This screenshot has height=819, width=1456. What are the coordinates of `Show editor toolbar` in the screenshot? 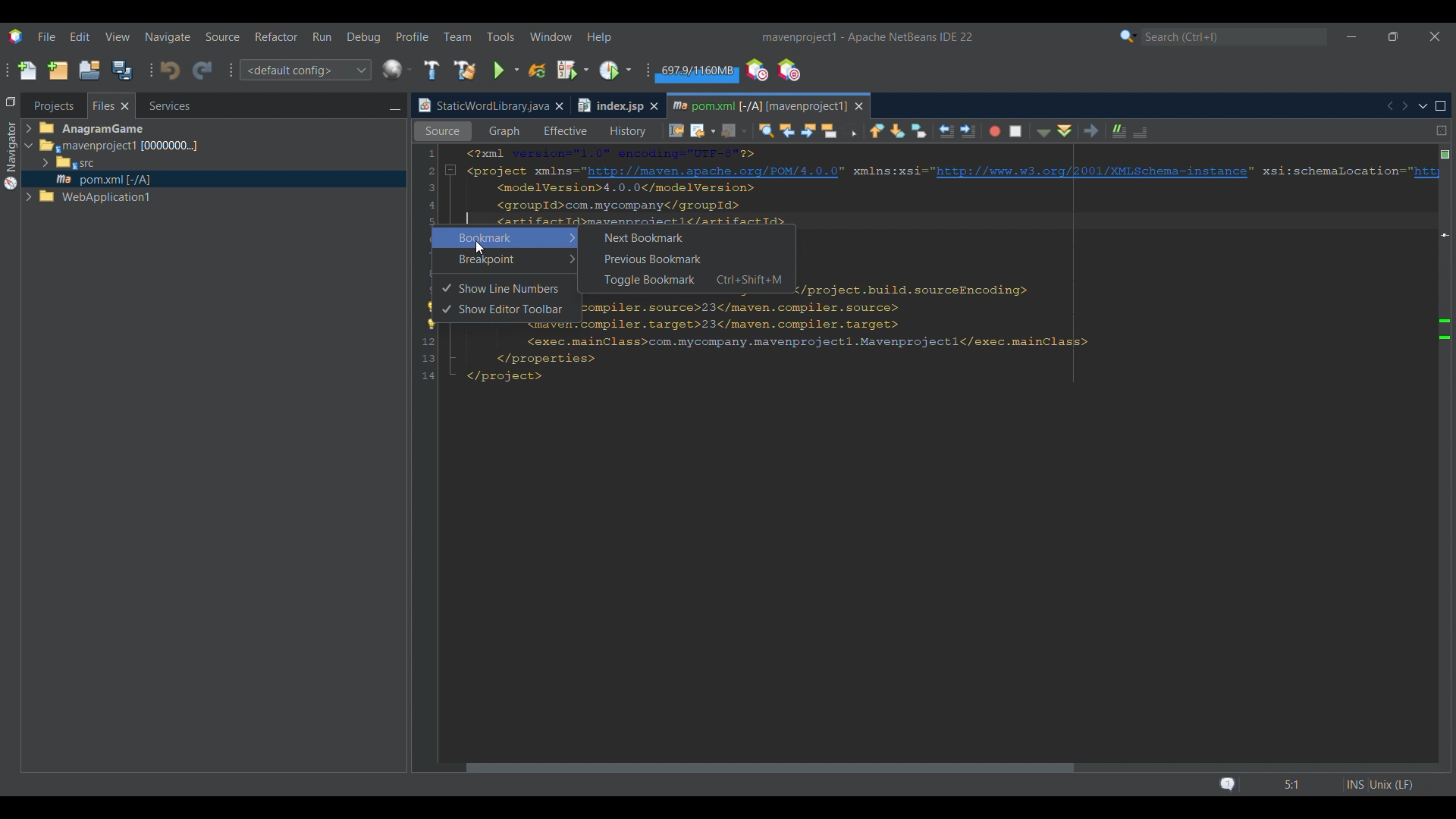 It's located at (514, 310).